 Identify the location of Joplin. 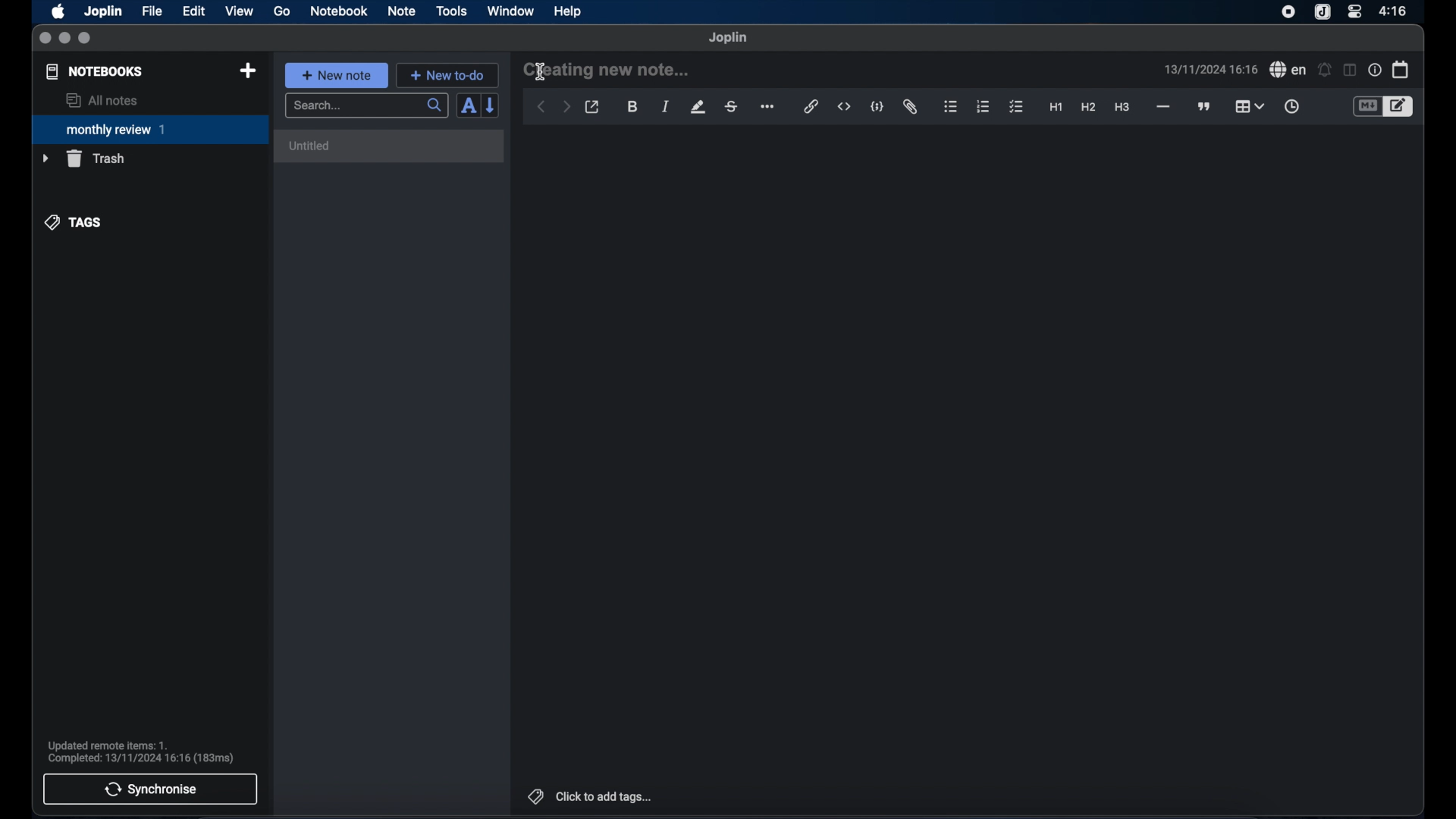
(105, 12).